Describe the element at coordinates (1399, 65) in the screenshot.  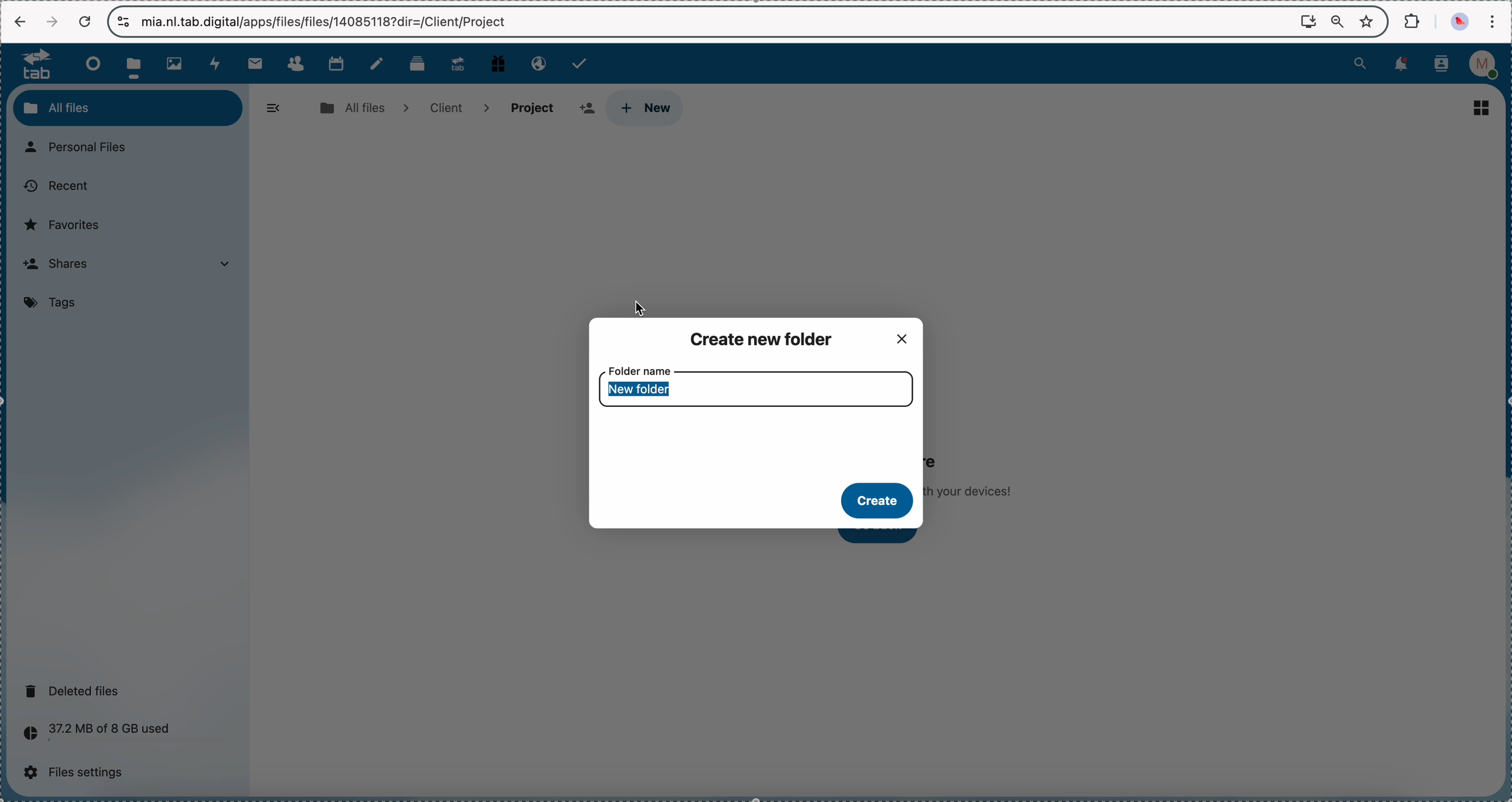
I see `notifications` at that location.